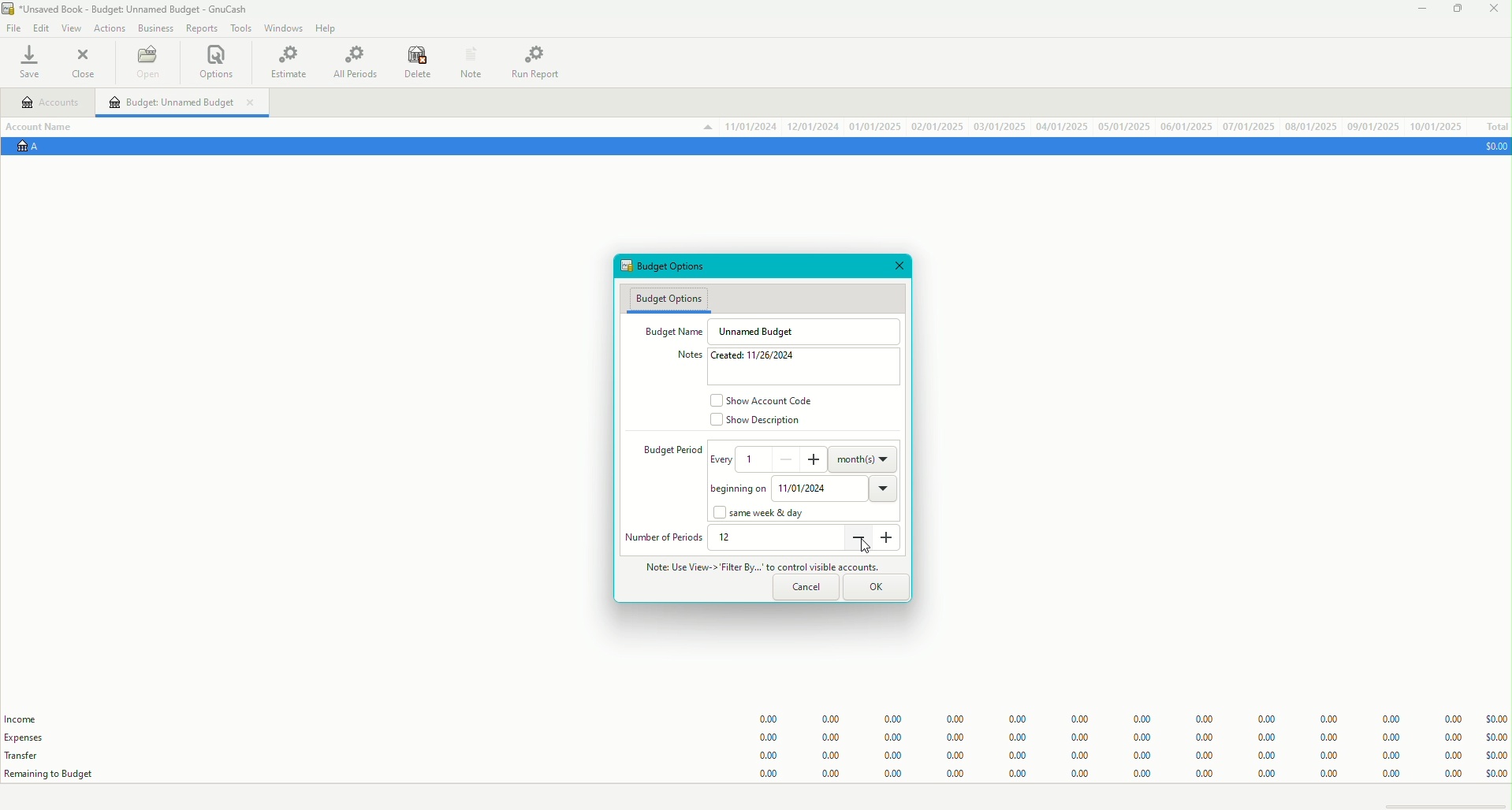 Image resolution: width=1512 pixels, height=810 pixels. Describe the element at coordinates (85, 63) in the screenshot. I see `Close` at that location.